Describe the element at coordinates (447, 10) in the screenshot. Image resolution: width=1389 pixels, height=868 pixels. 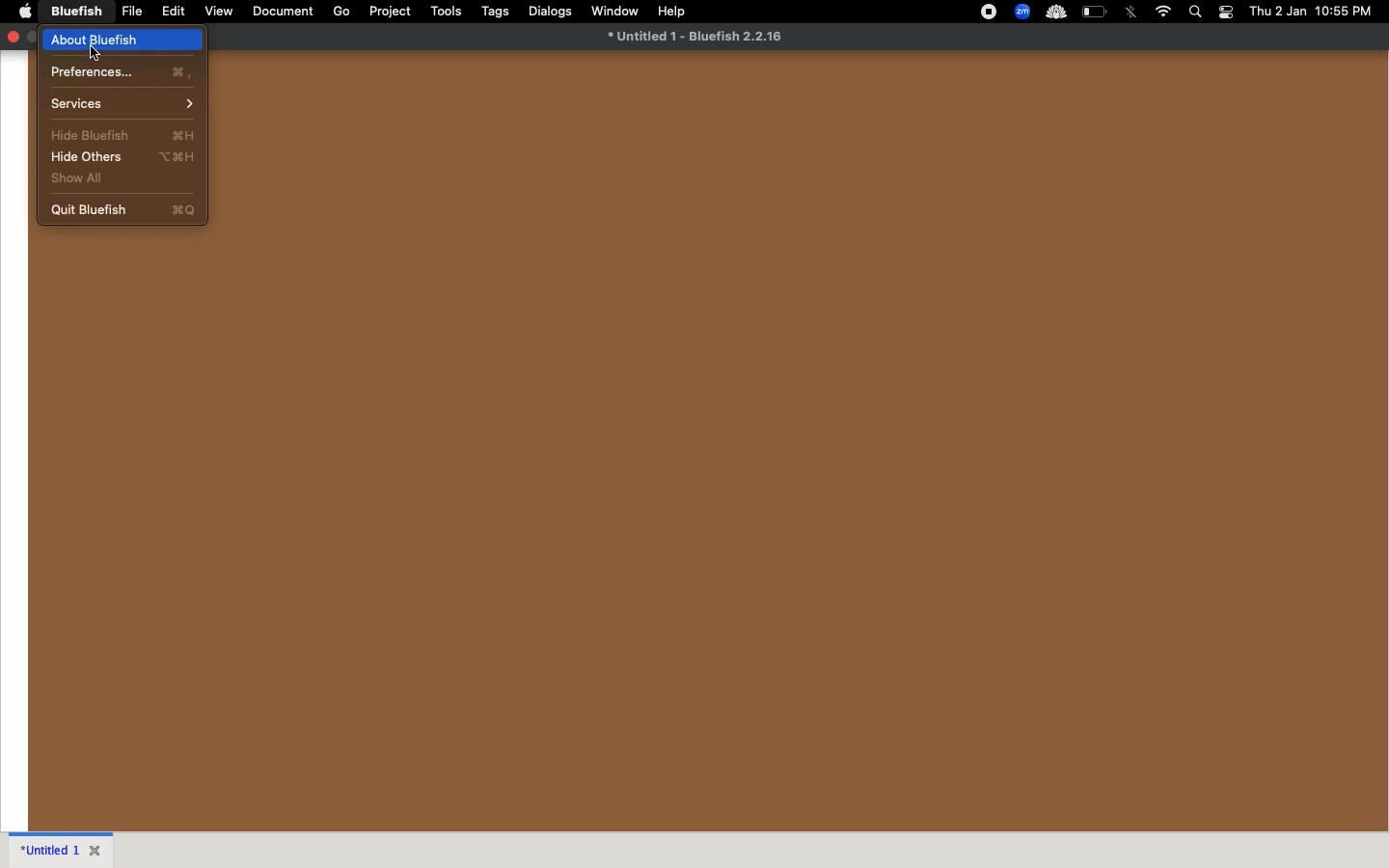
I see `tools` at that location.